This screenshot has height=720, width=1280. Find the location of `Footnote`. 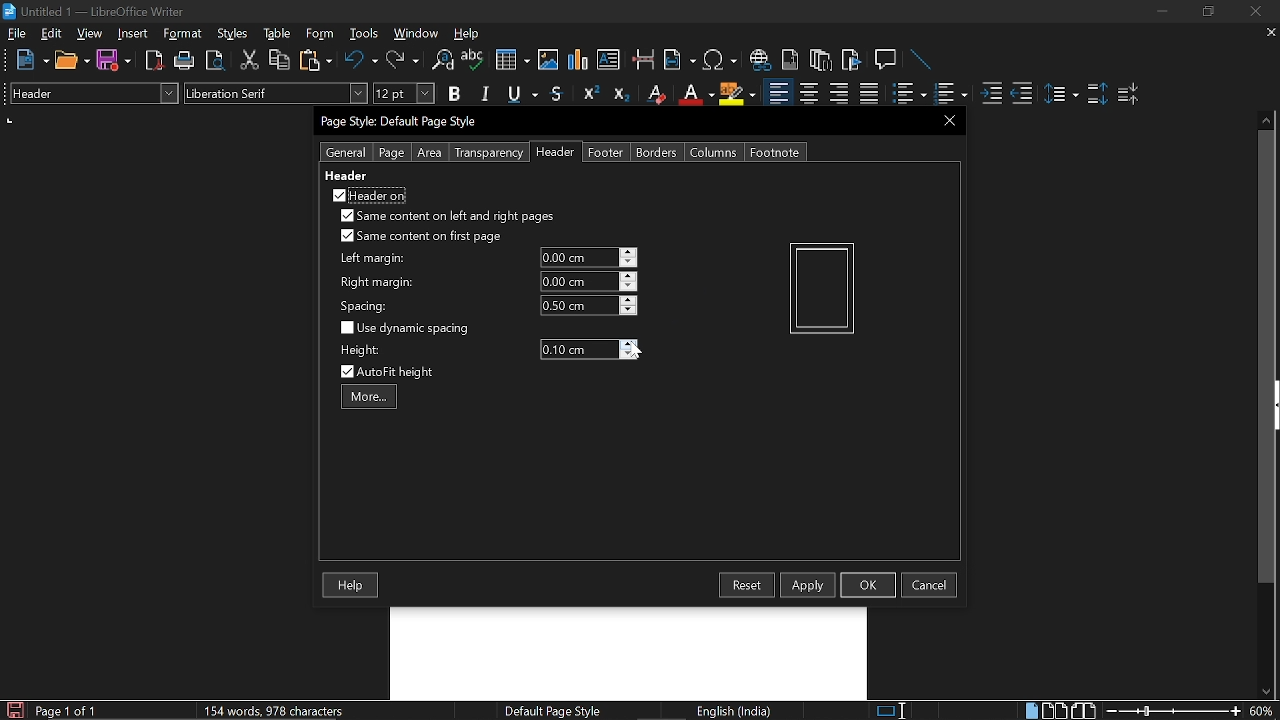

Footnote is located at coordinates (774, 152).